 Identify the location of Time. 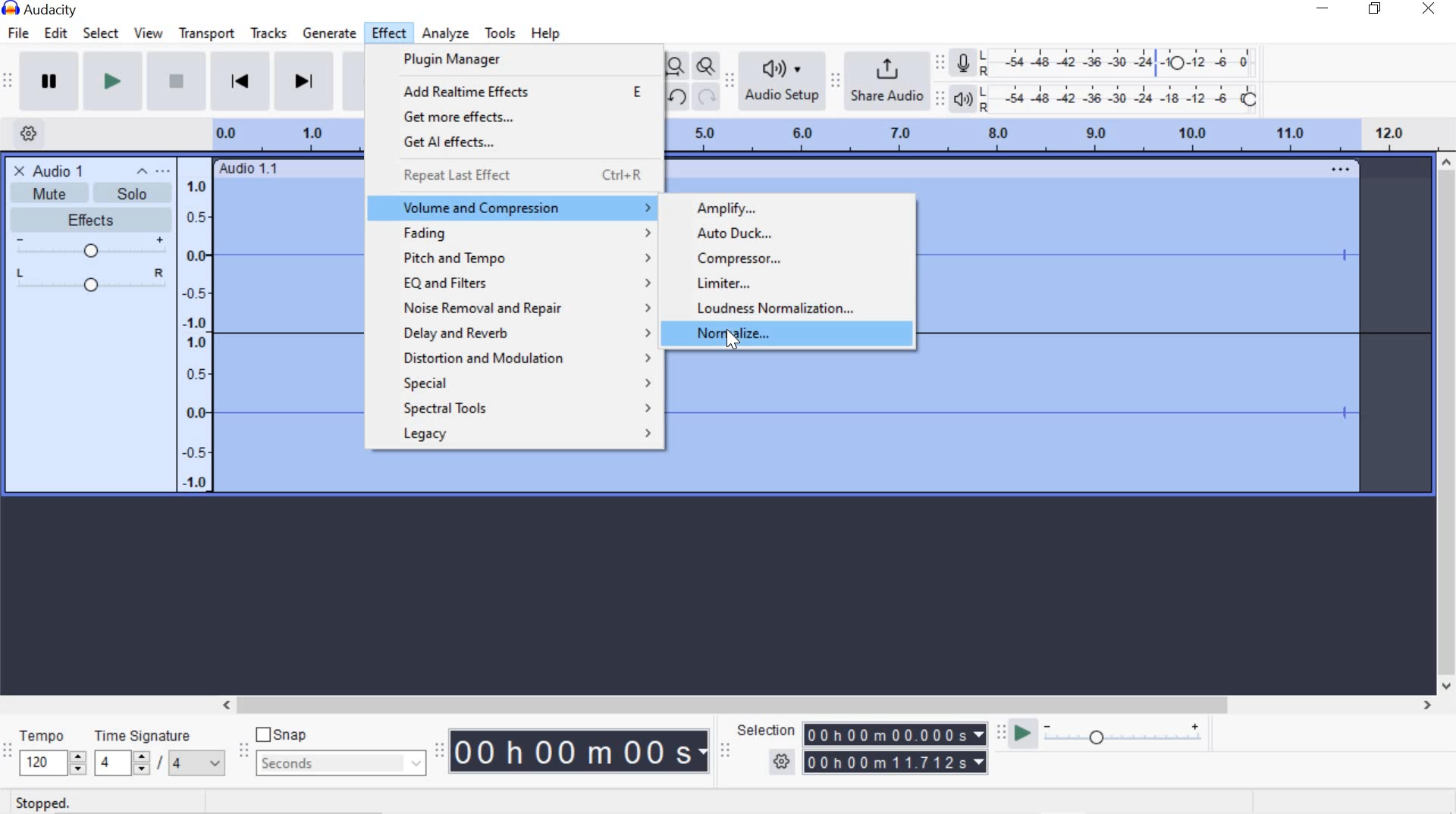
(581, 753).